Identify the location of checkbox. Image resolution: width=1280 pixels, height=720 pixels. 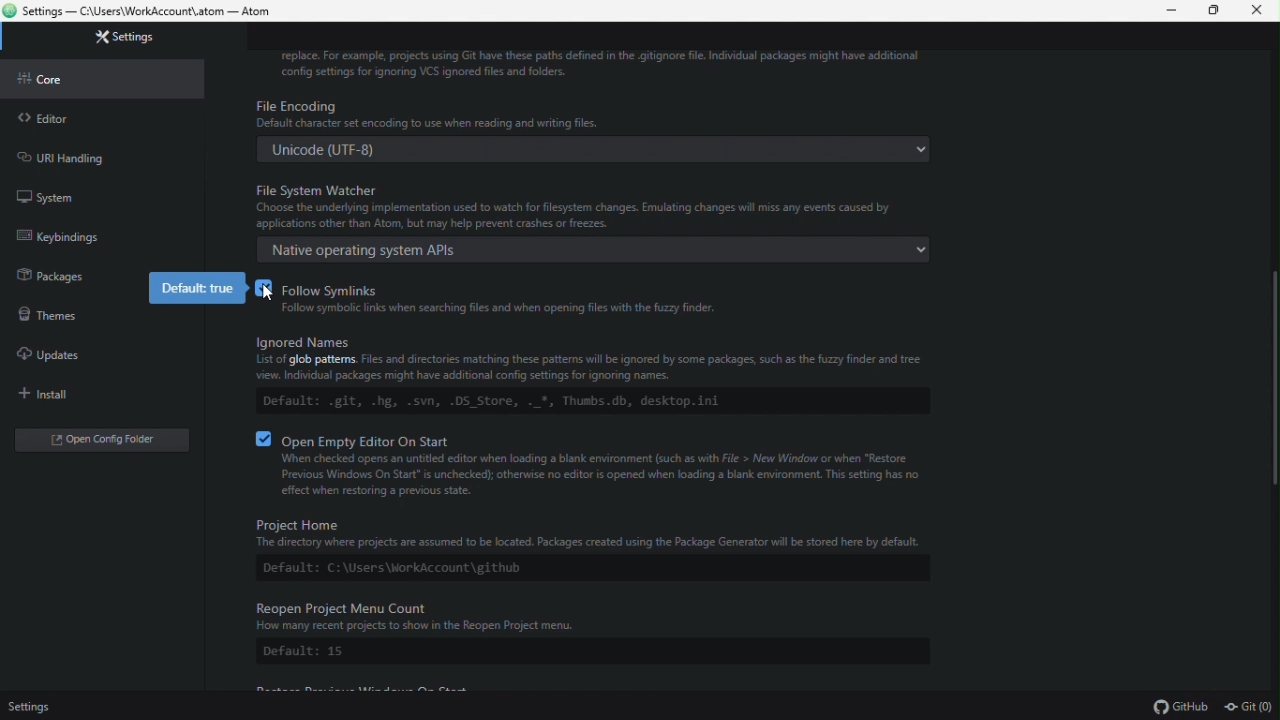
(265, 439).